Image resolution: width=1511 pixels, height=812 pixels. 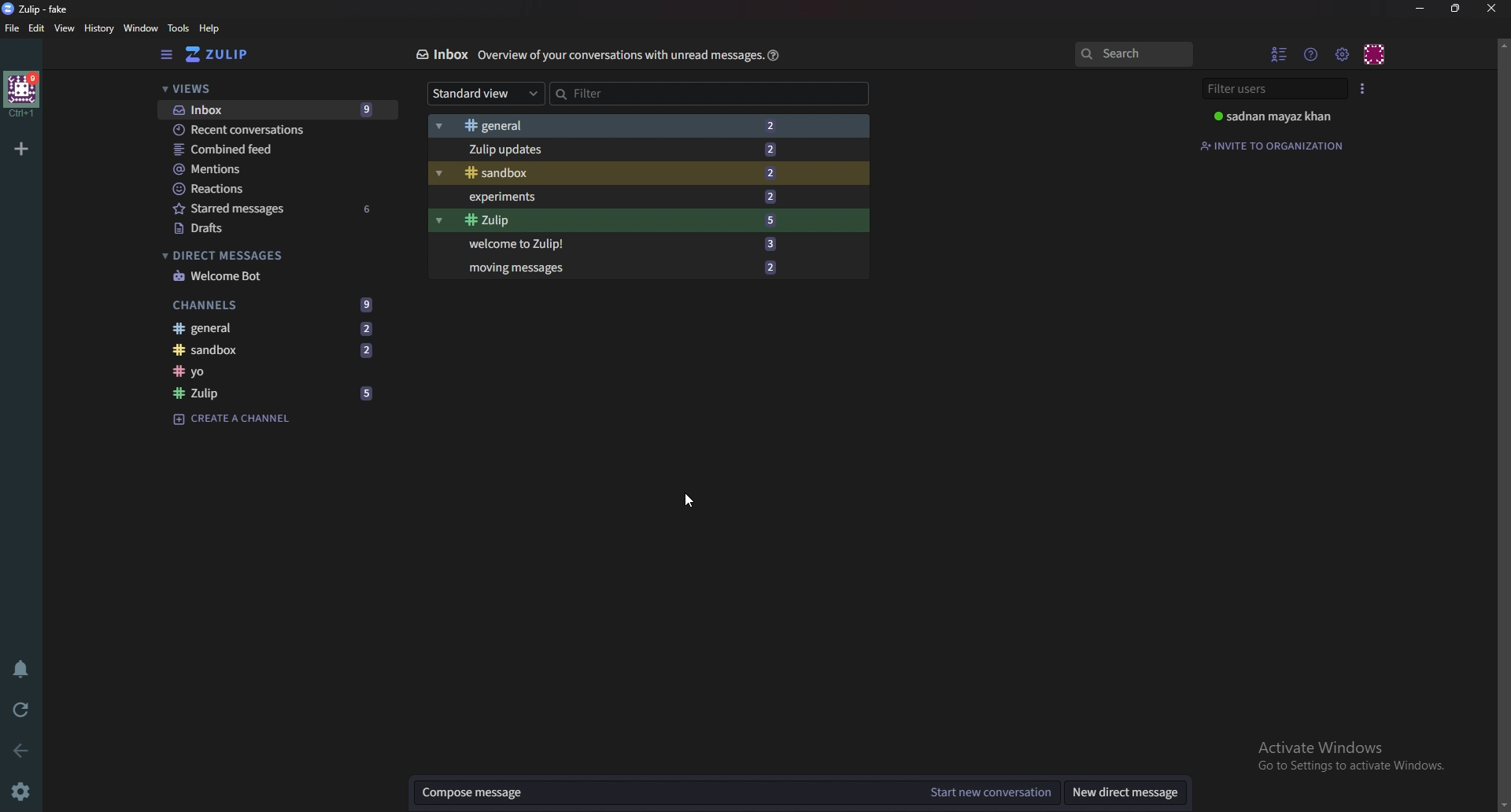 I want to click on Standard view, so click(x=484, y=94).